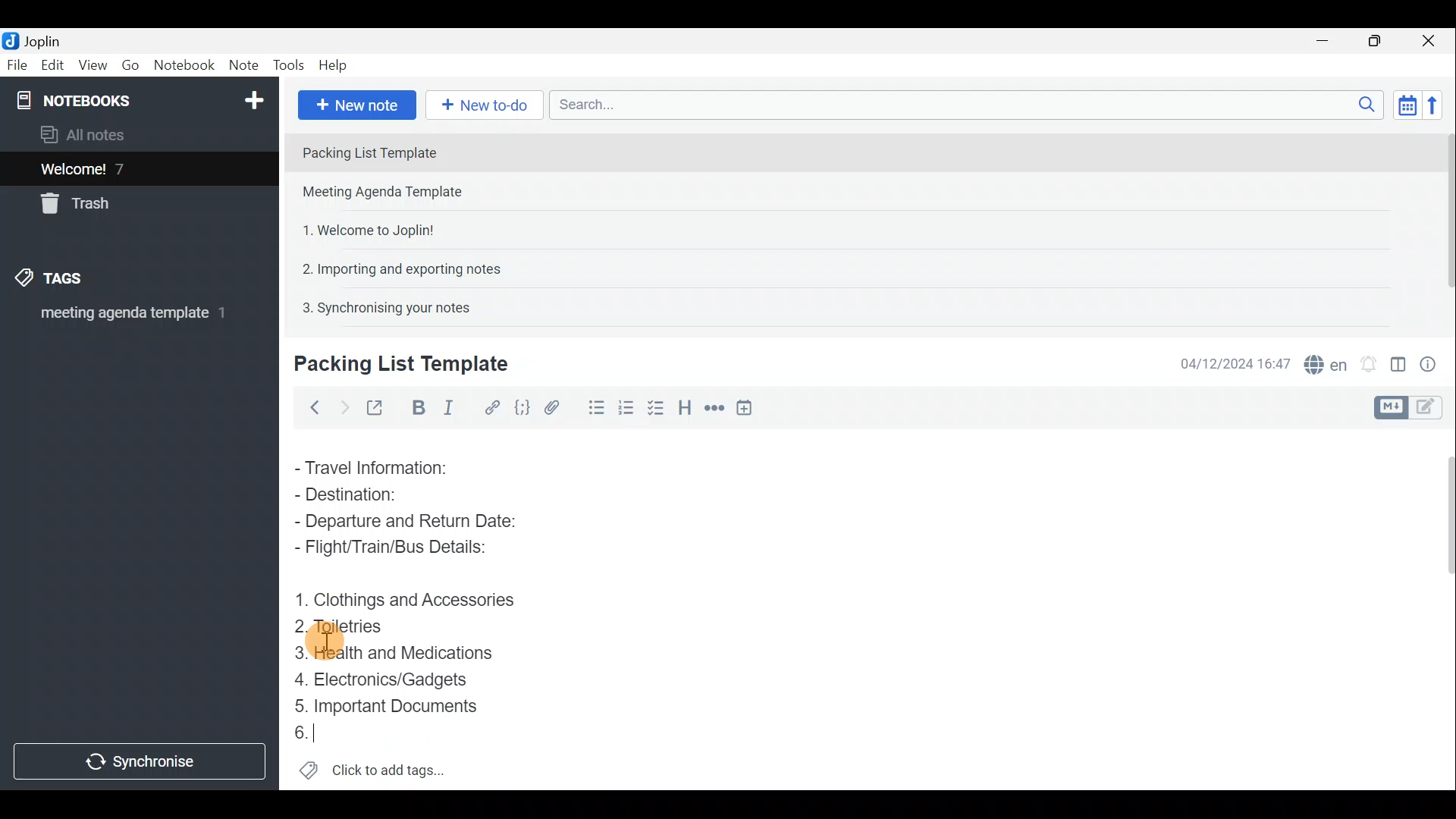  What do you see at coordinates (1402, 105) in the screenshot?
I see `Toggle sort order field` at bounding box center [1402, 105].